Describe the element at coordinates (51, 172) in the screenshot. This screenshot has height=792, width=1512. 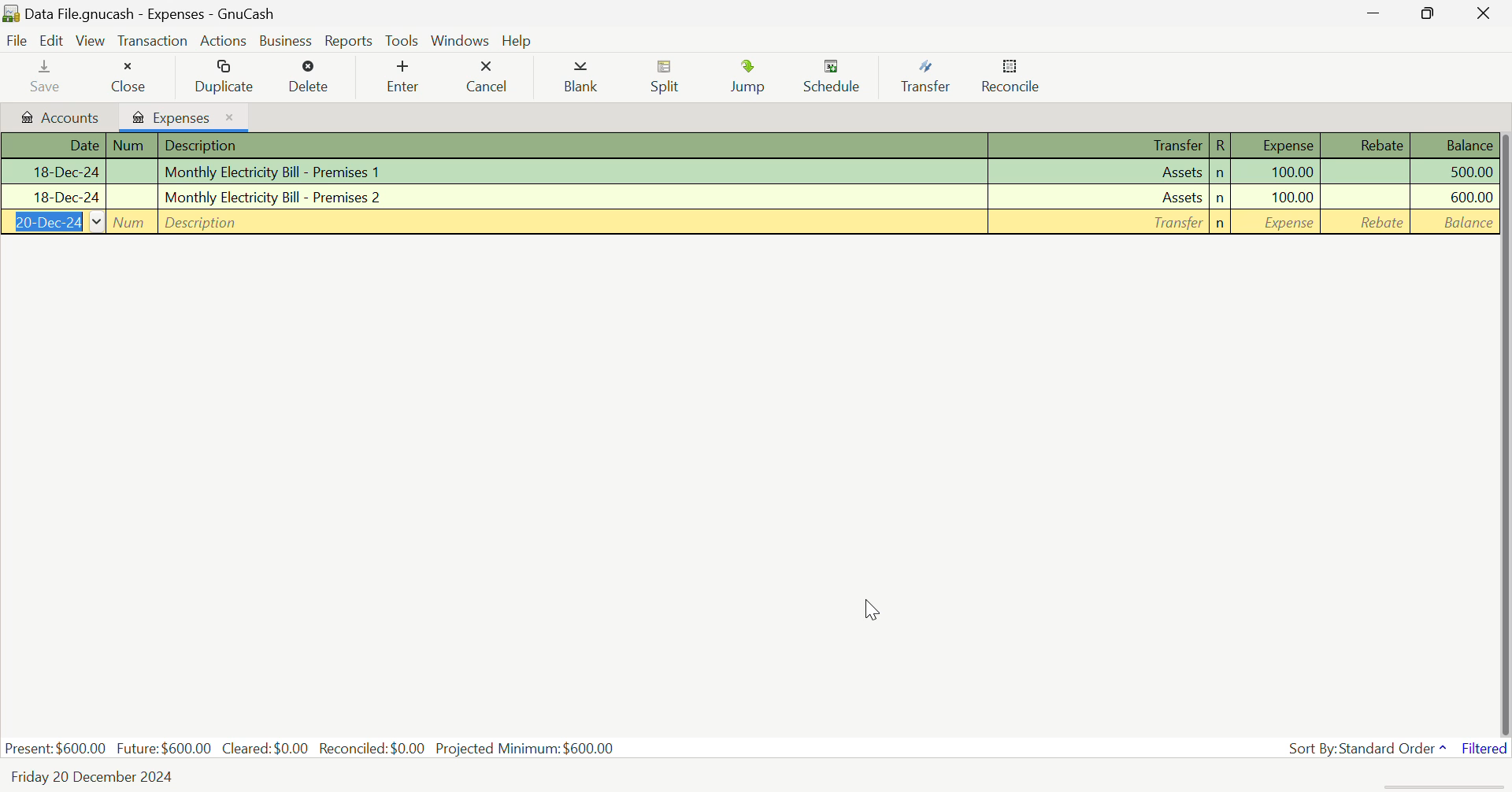
I see `Date` at that location.